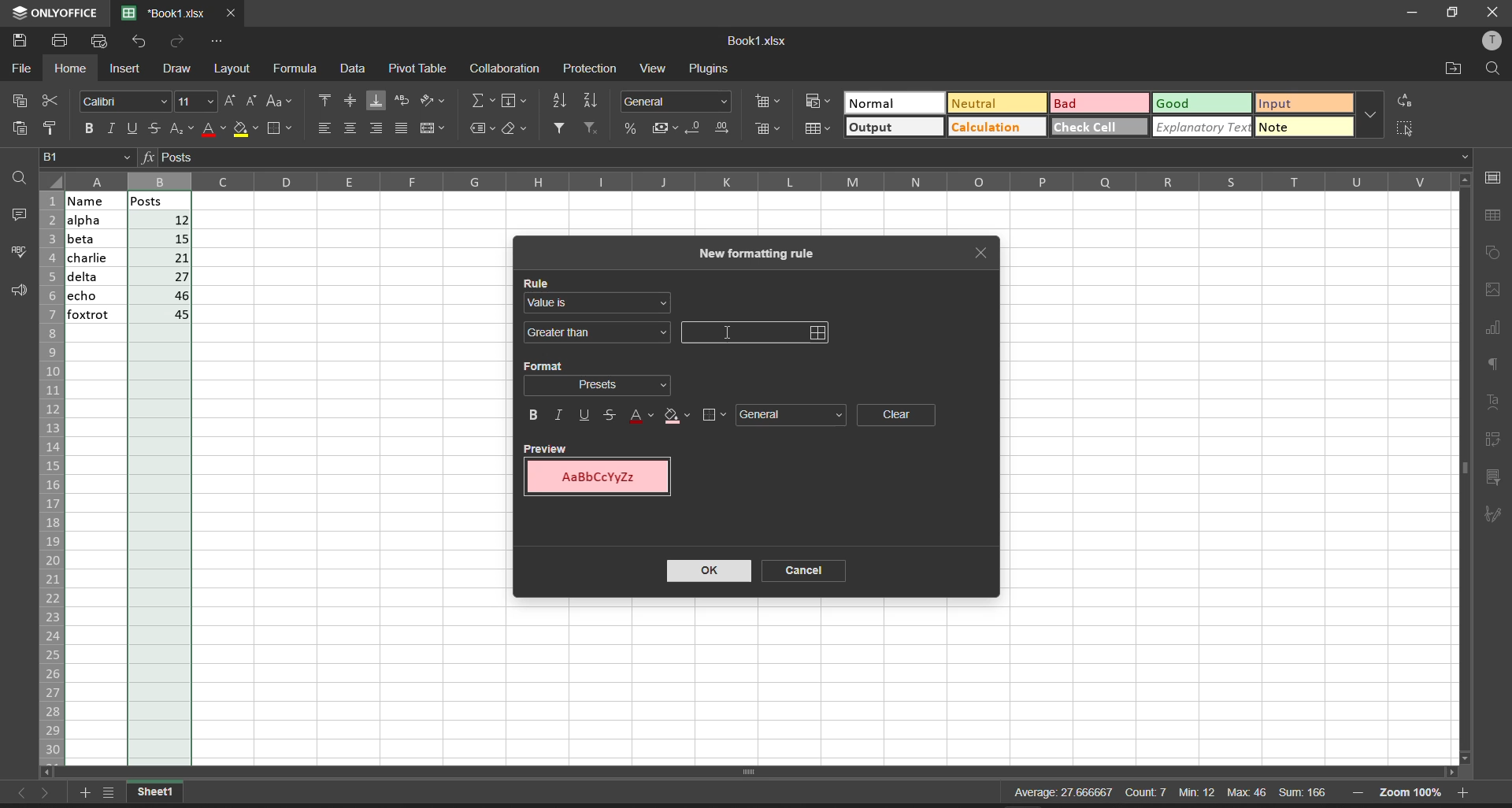  What do you see at coordinates (140, 42) in the screenshot?
I see `undo` at bounding box center [140, 42].